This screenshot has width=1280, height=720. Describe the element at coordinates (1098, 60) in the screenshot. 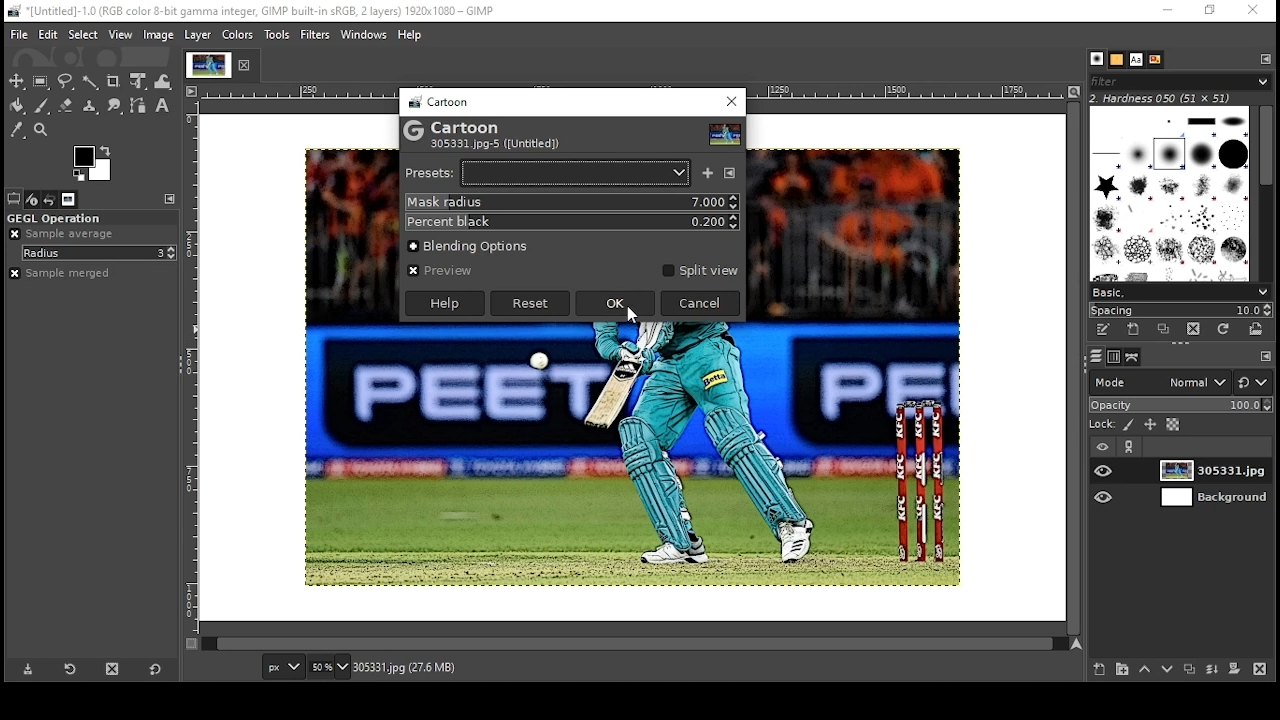

I see `brushes` at that location.